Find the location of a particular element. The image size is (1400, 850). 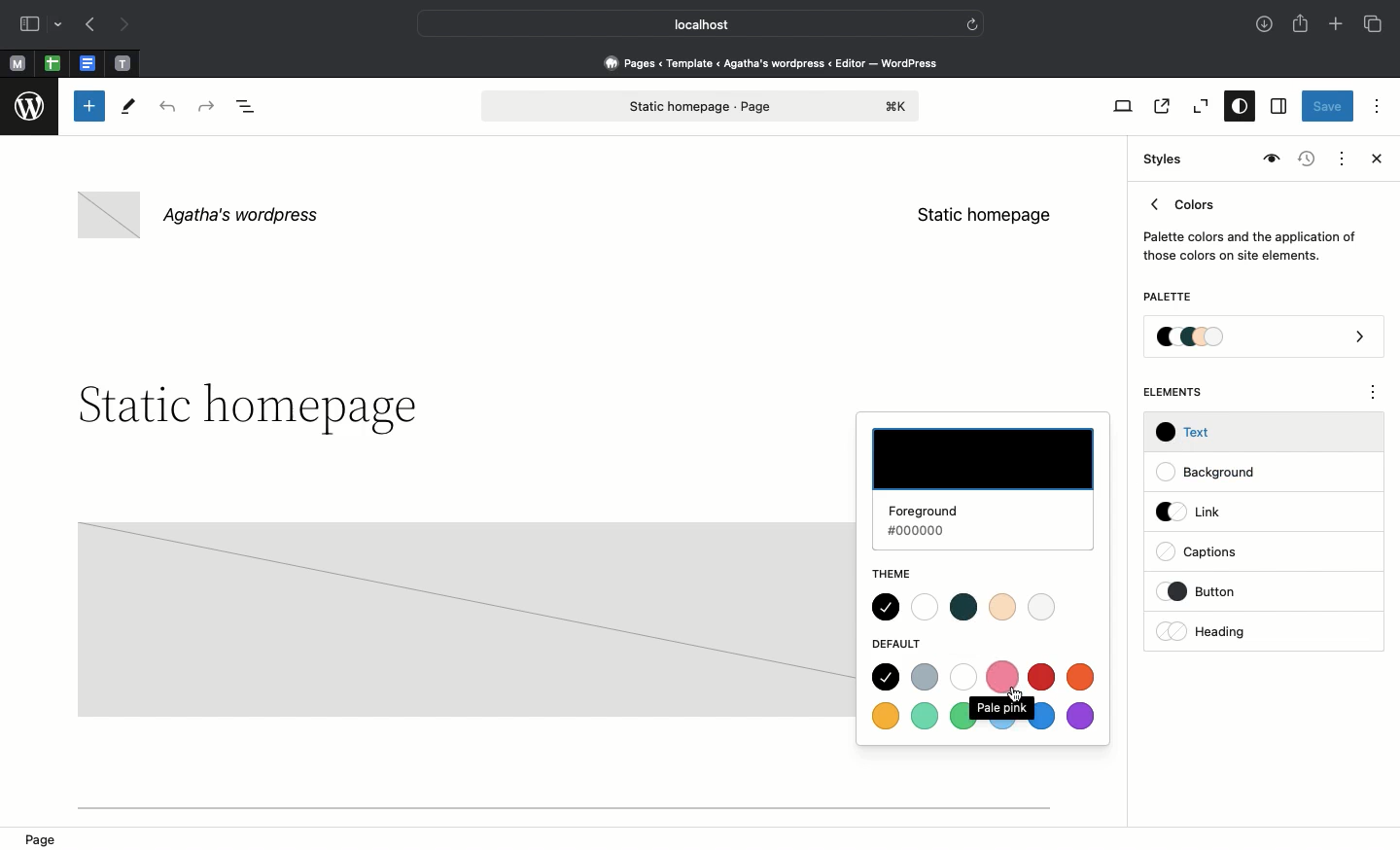

wordpress is located at coordinates (30, 107).